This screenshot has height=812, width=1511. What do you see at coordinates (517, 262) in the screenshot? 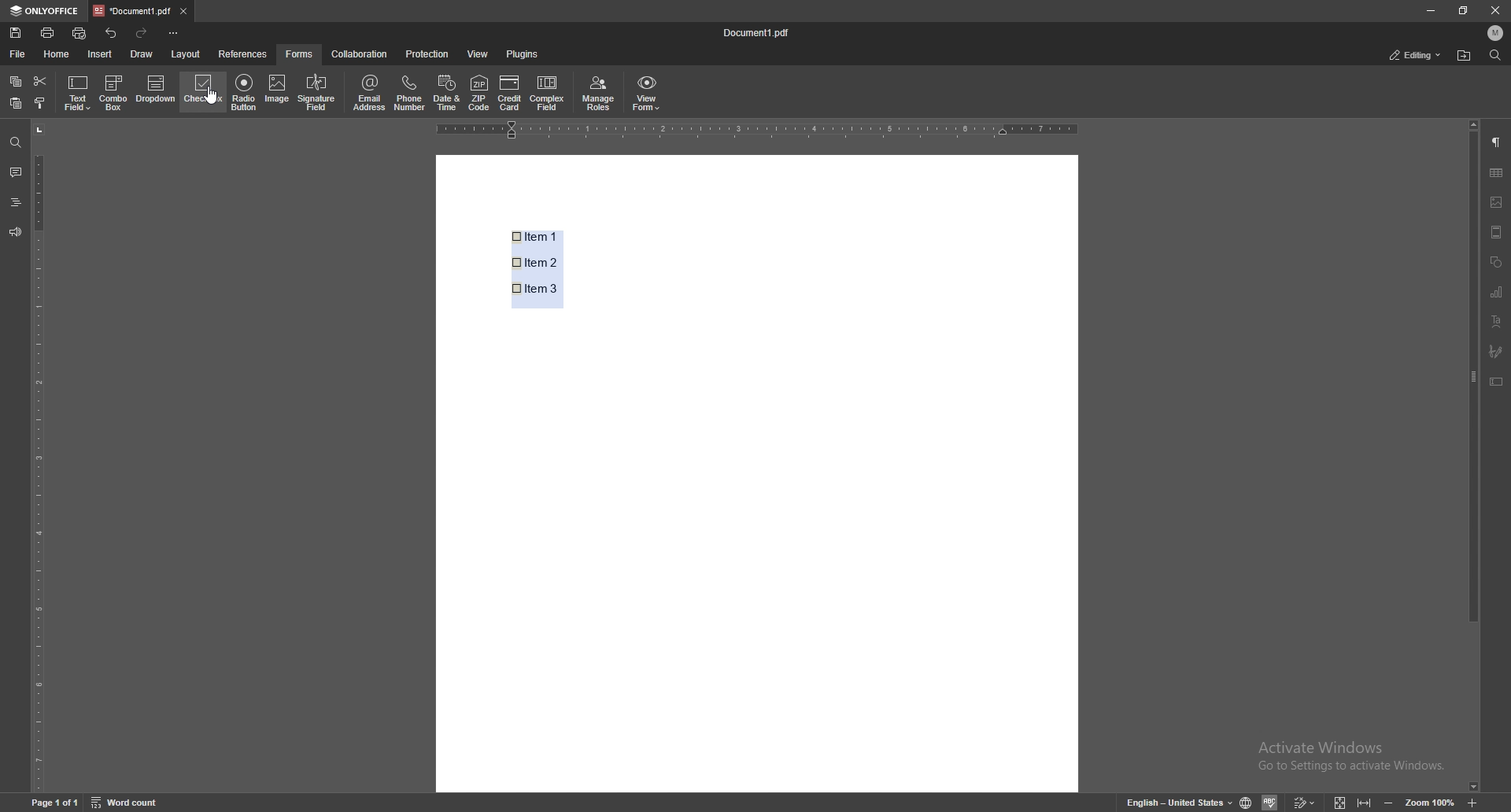
I see `checkbox` at bounding box center [517, 262].